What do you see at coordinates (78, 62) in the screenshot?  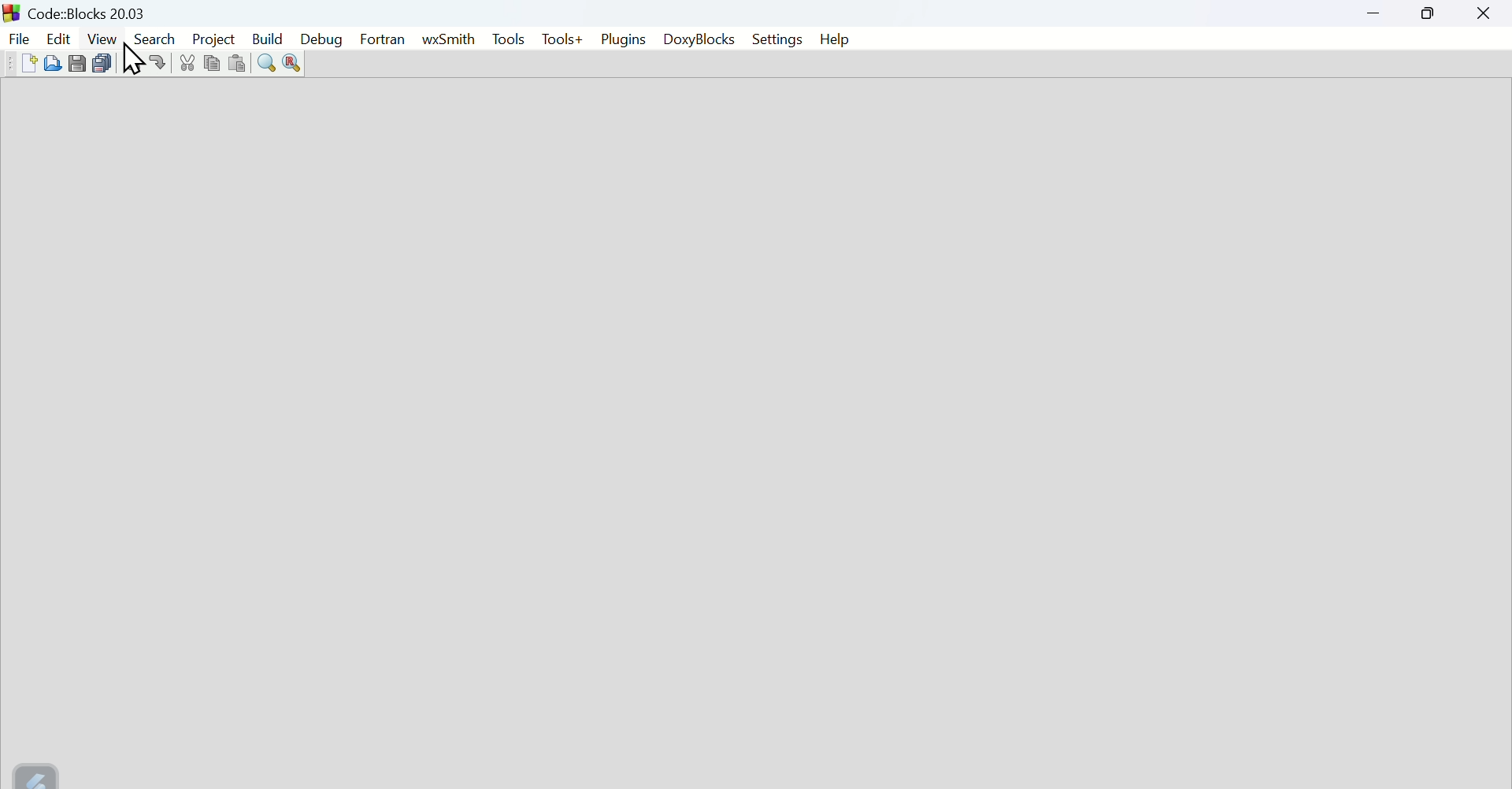 I see `Save file` at bounding box center [78, 62].